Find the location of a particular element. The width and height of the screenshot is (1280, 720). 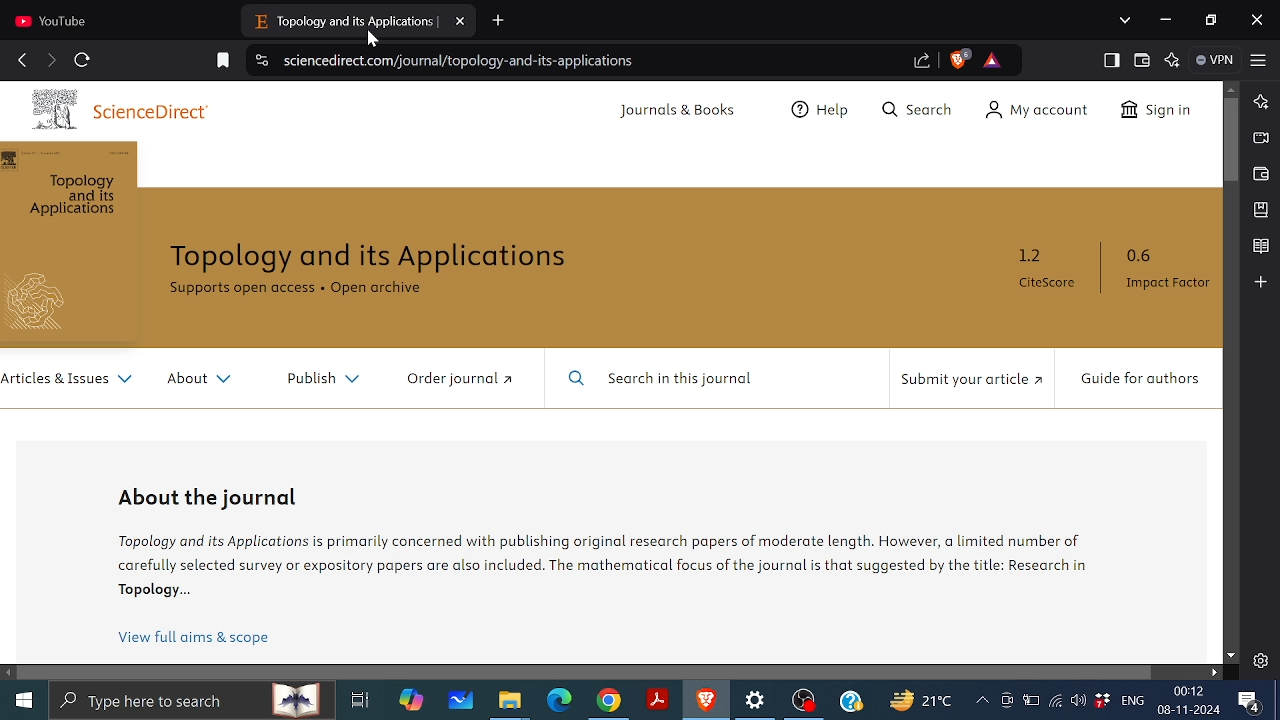

Wallet is located at coordinates (1261, 174).